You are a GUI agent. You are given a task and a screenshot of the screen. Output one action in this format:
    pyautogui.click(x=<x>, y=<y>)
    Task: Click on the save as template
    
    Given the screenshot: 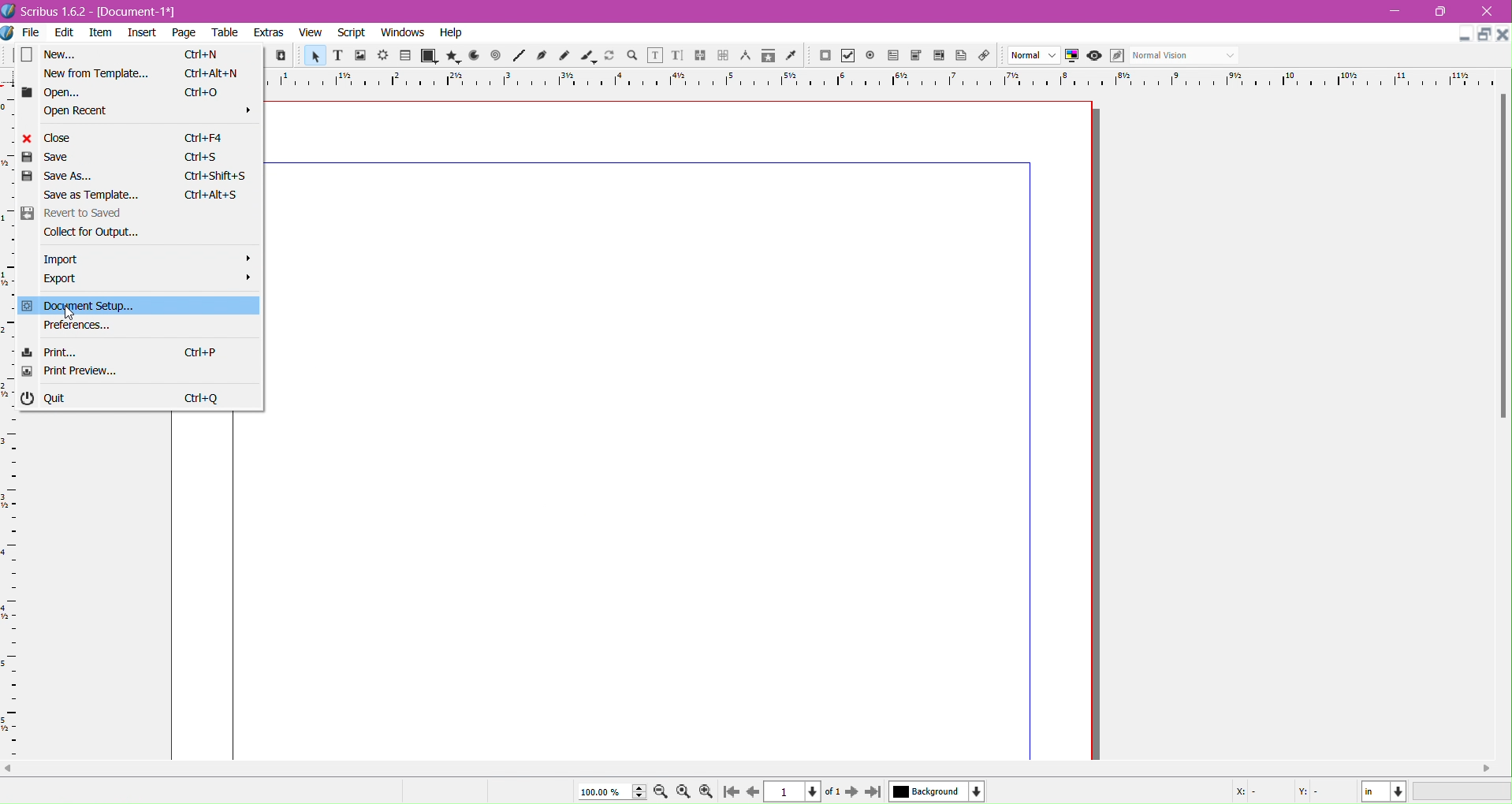 What is the action you would take?
    pyautogui.click(x=94, y=195)
    